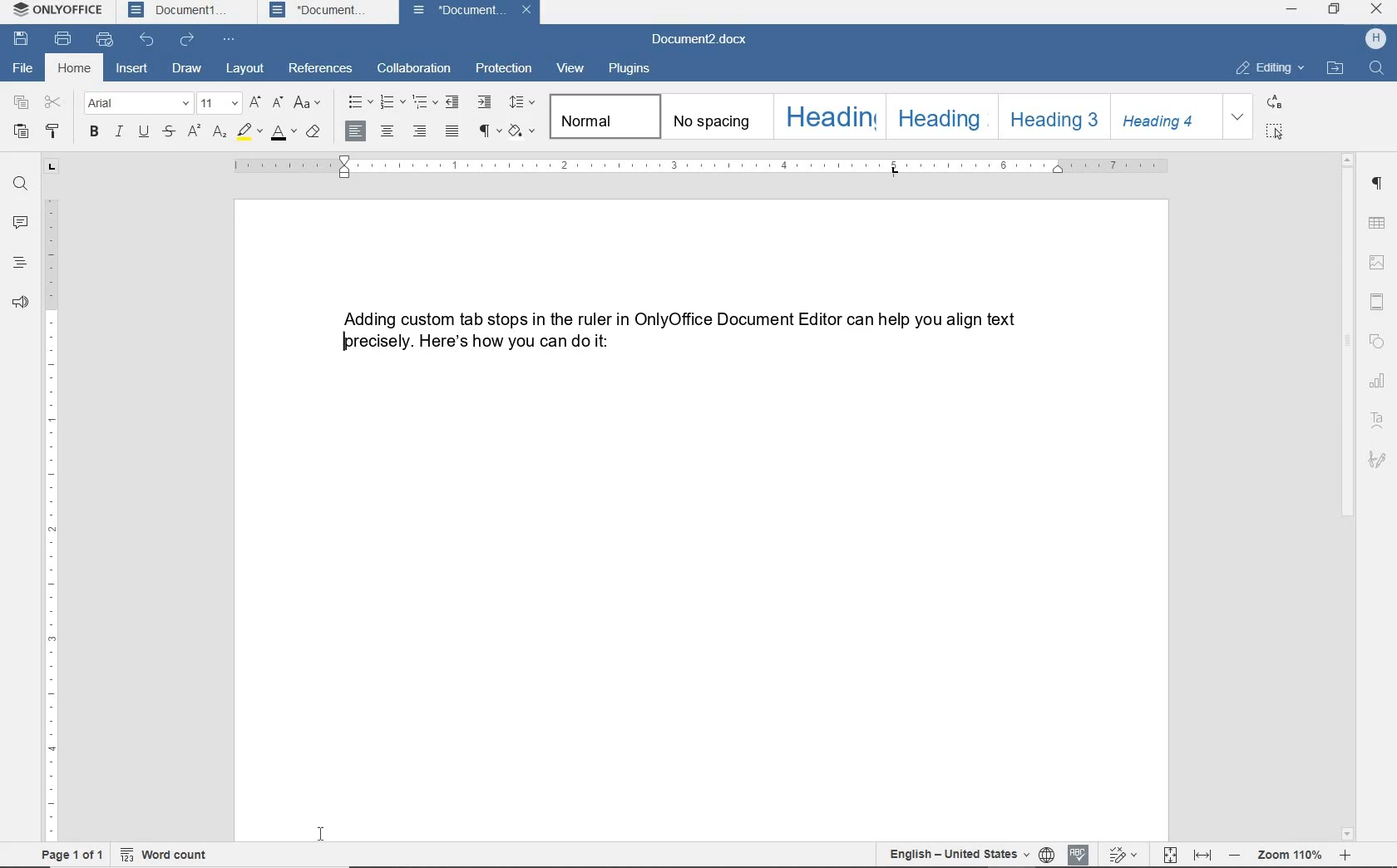 This screenshot has width=1397, height=868. Describe the element at coordinates (22, 132) in the screenshot. I see `paste` at that location.